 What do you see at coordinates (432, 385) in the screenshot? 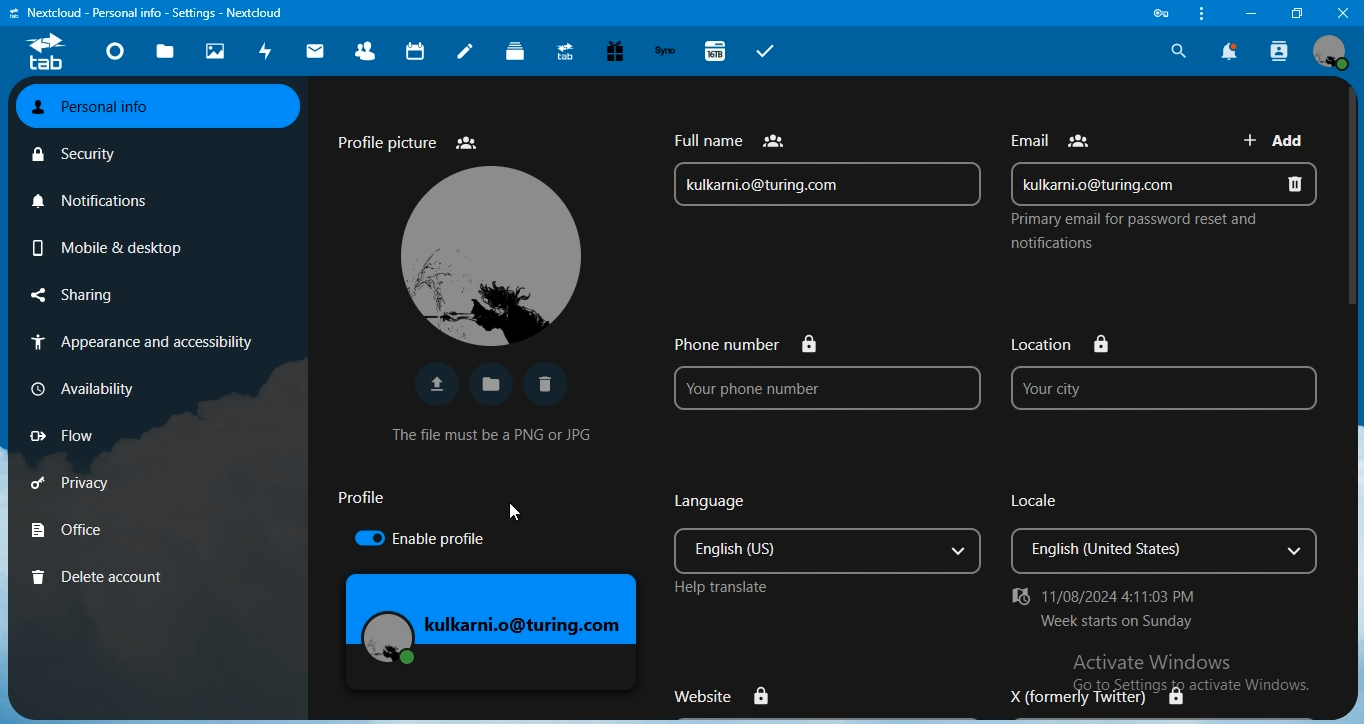
I see `Upload` at bounding box center [432, 385].